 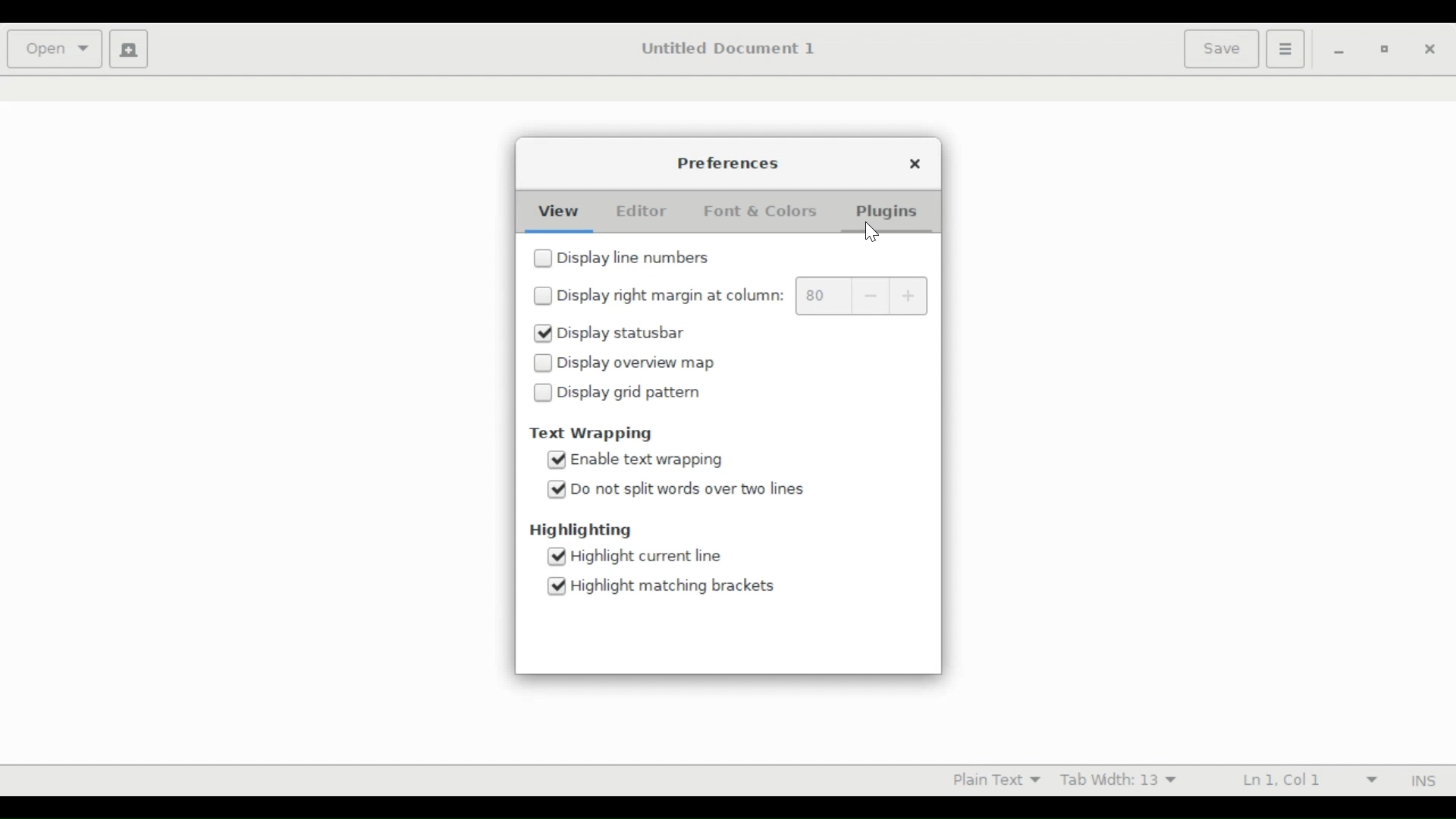 I want to click on (un)check Display status bar, so click(x=623, y=333).